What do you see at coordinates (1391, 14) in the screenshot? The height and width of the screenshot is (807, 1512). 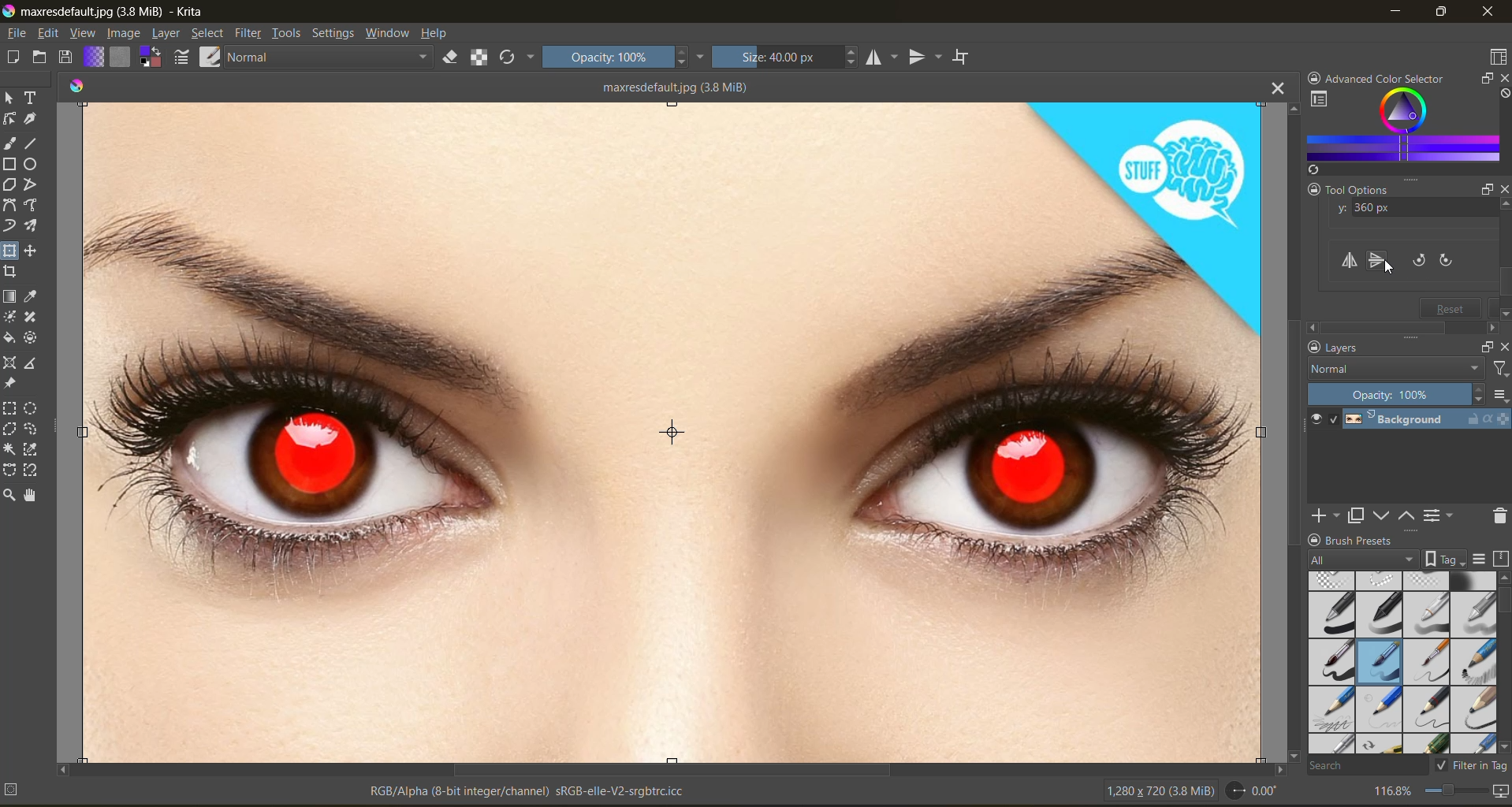 I see `minimize` at bounding box center [1391, 14].